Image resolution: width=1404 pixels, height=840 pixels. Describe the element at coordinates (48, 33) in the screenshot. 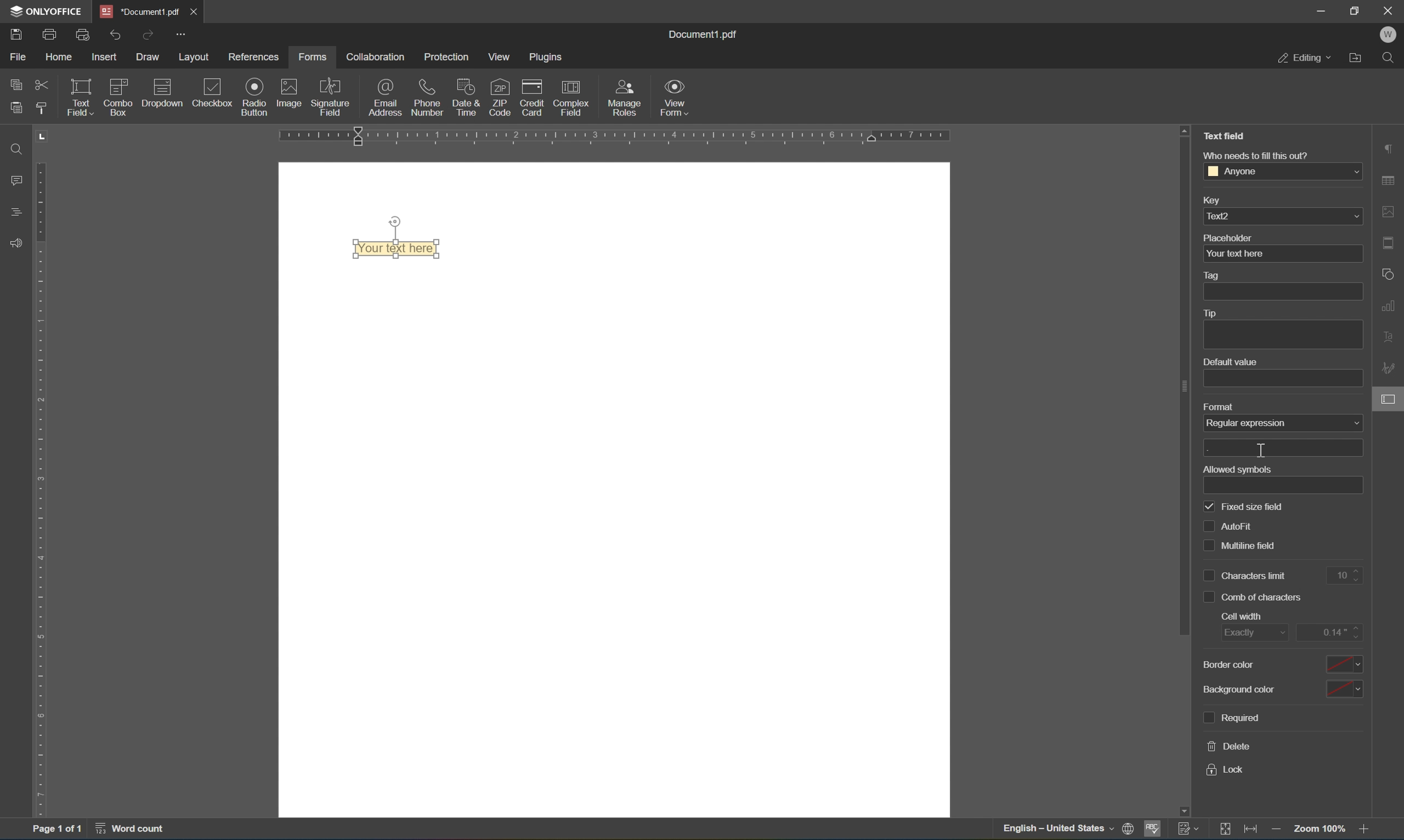

I see `print` at that location.